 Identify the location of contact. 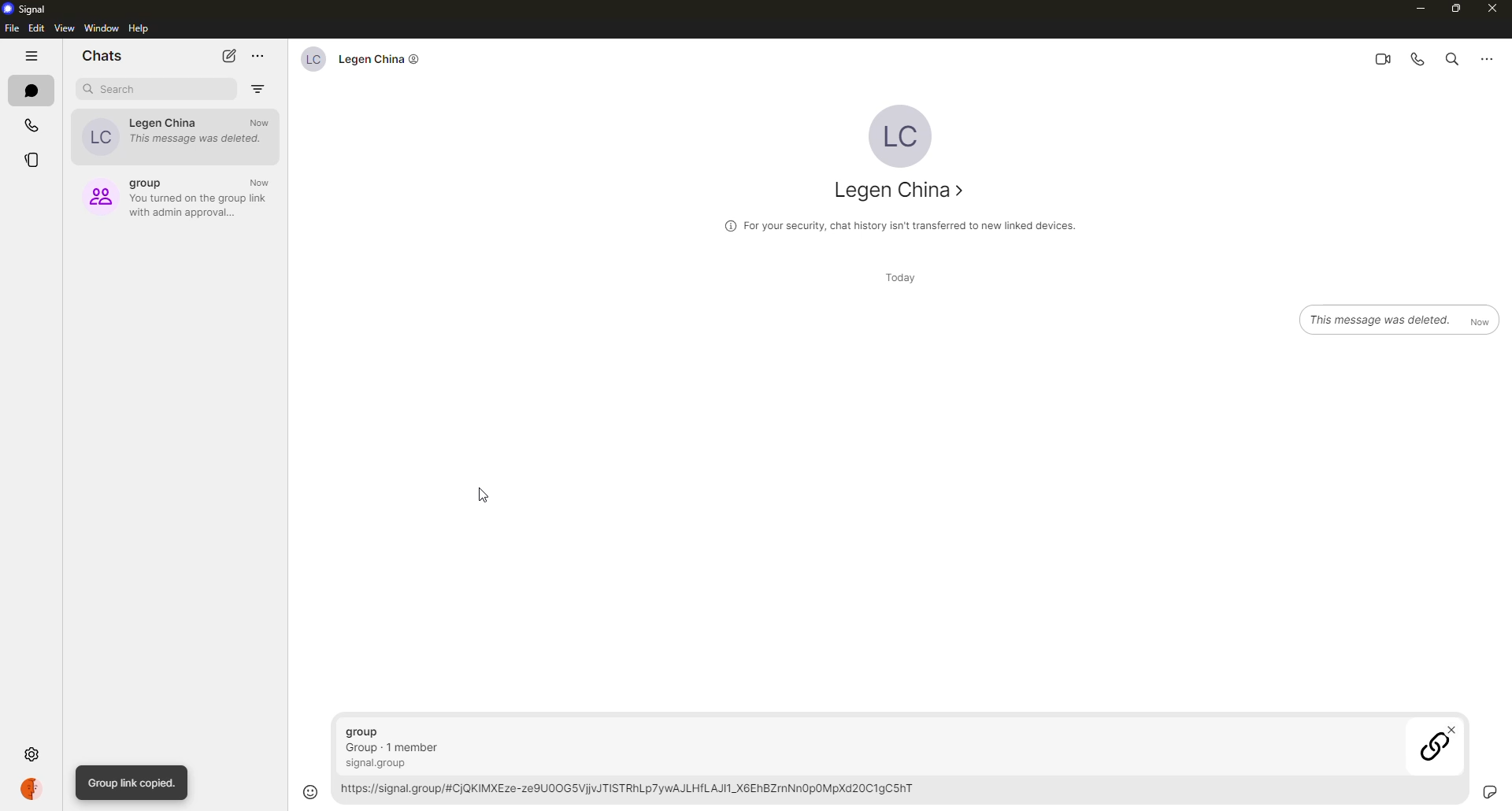
(172, 134).